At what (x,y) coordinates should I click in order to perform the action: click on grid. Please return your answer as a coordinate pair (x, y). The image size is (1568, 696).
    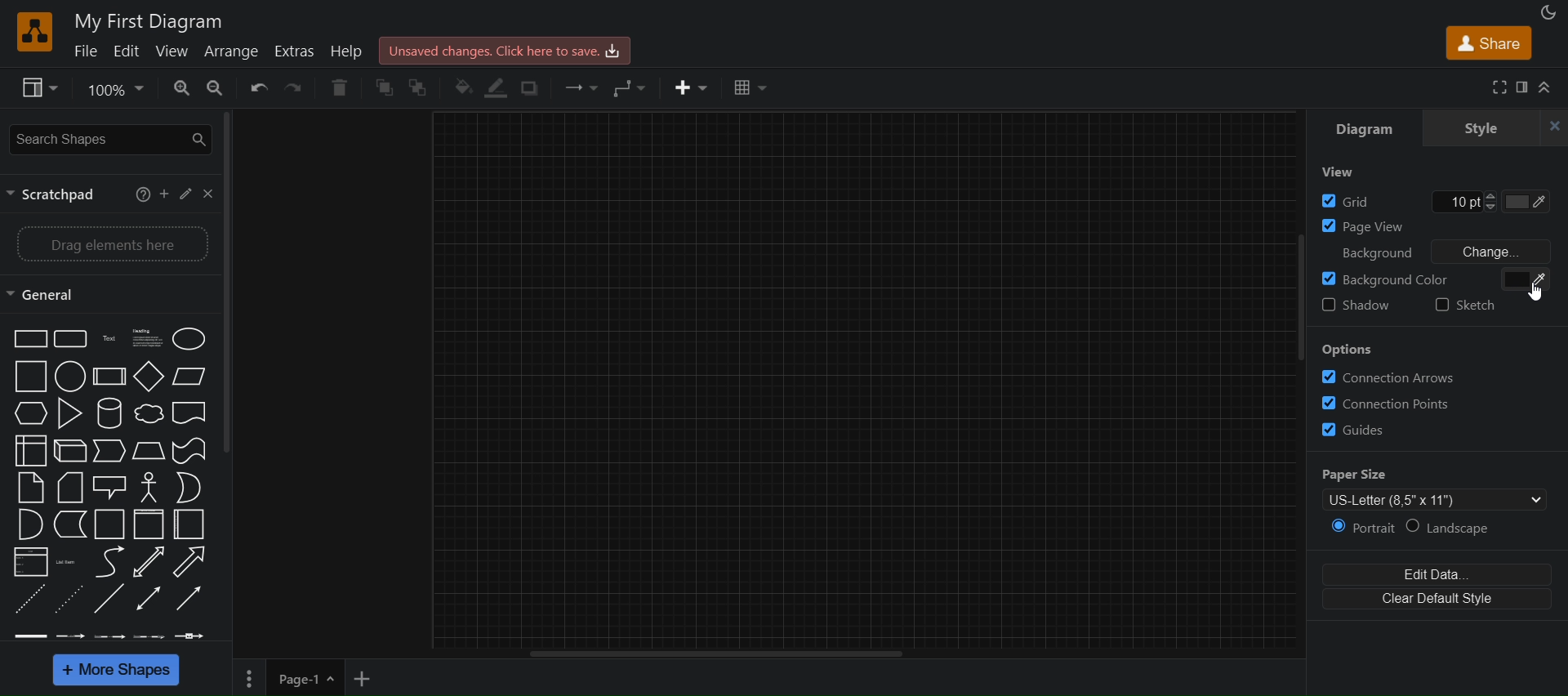
    Looking at the image, I should click on (1433, 199).